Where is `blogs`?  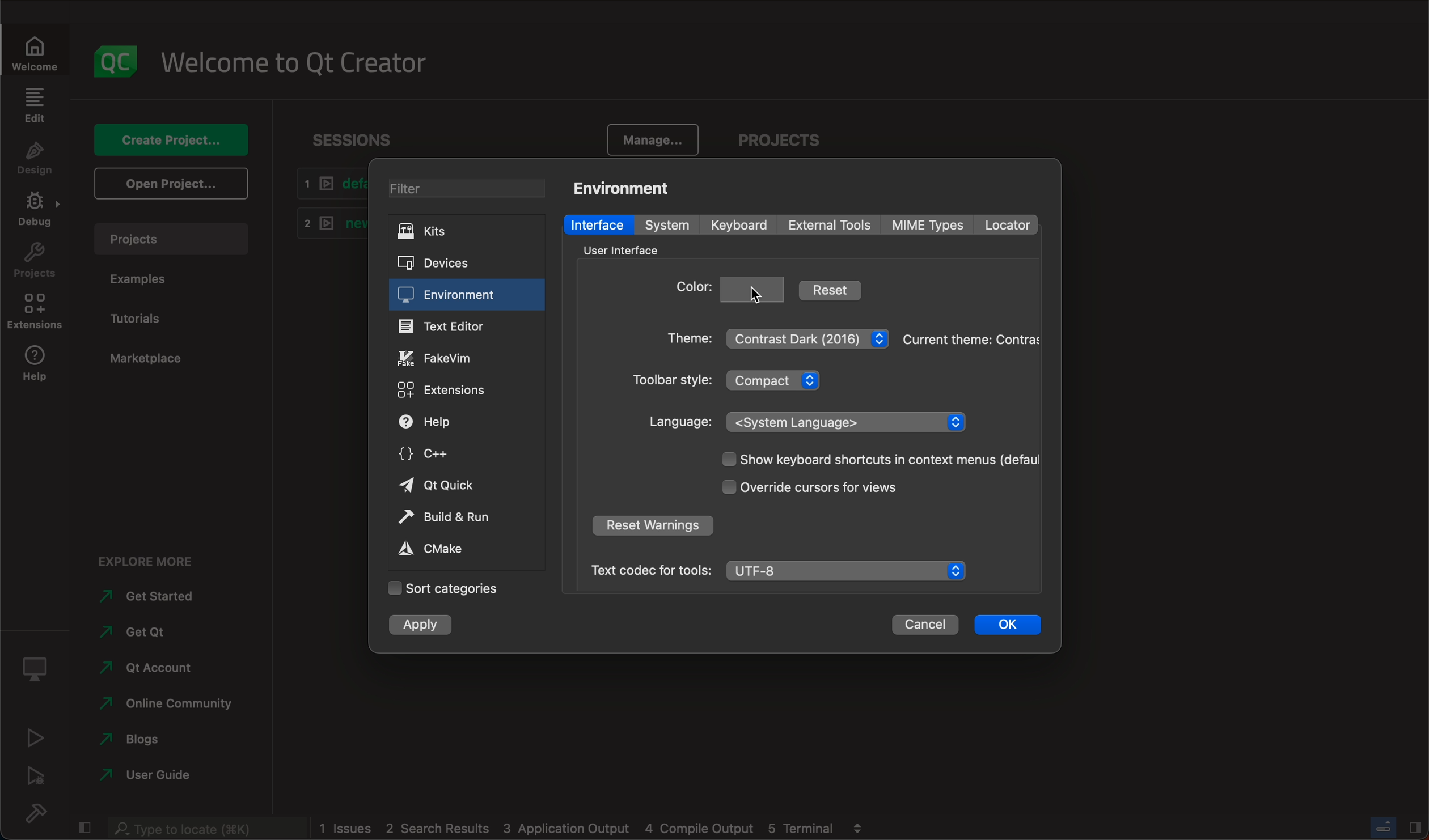
blogs is located at coordinates (135, 737).